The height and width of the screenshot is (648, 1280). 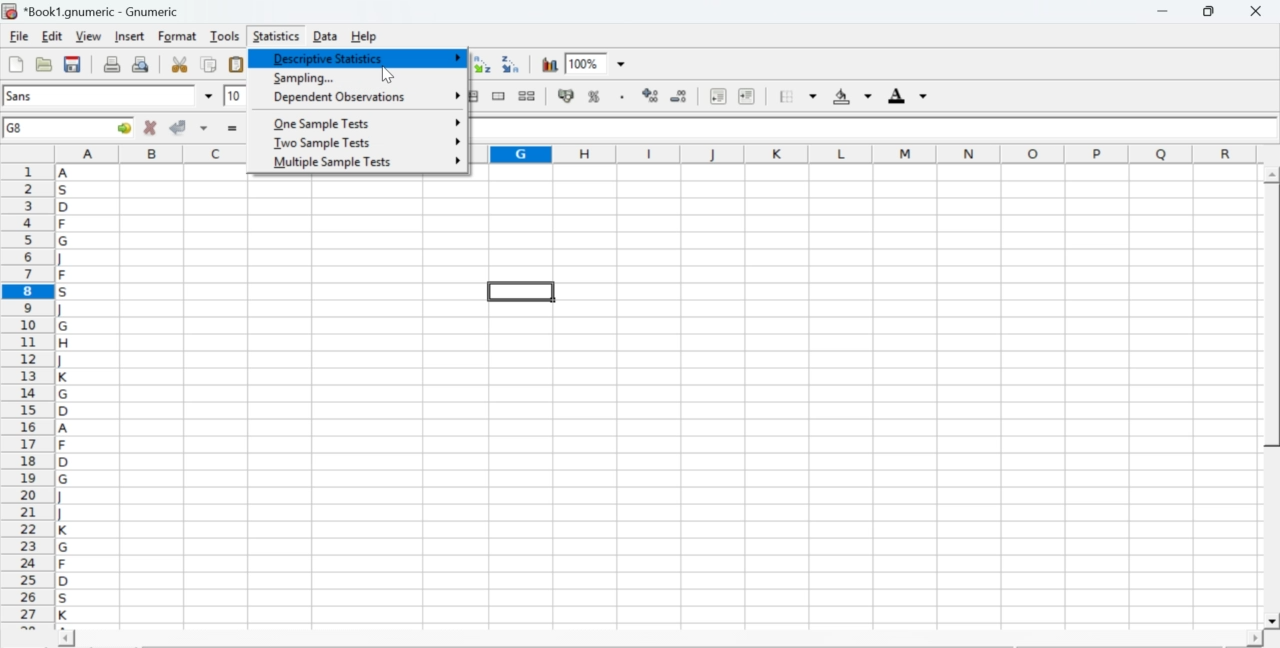 What do you see at coordinates (499, 96) in the screenshot?
I see `merge a range of cells` at bounding box center [499, 96].